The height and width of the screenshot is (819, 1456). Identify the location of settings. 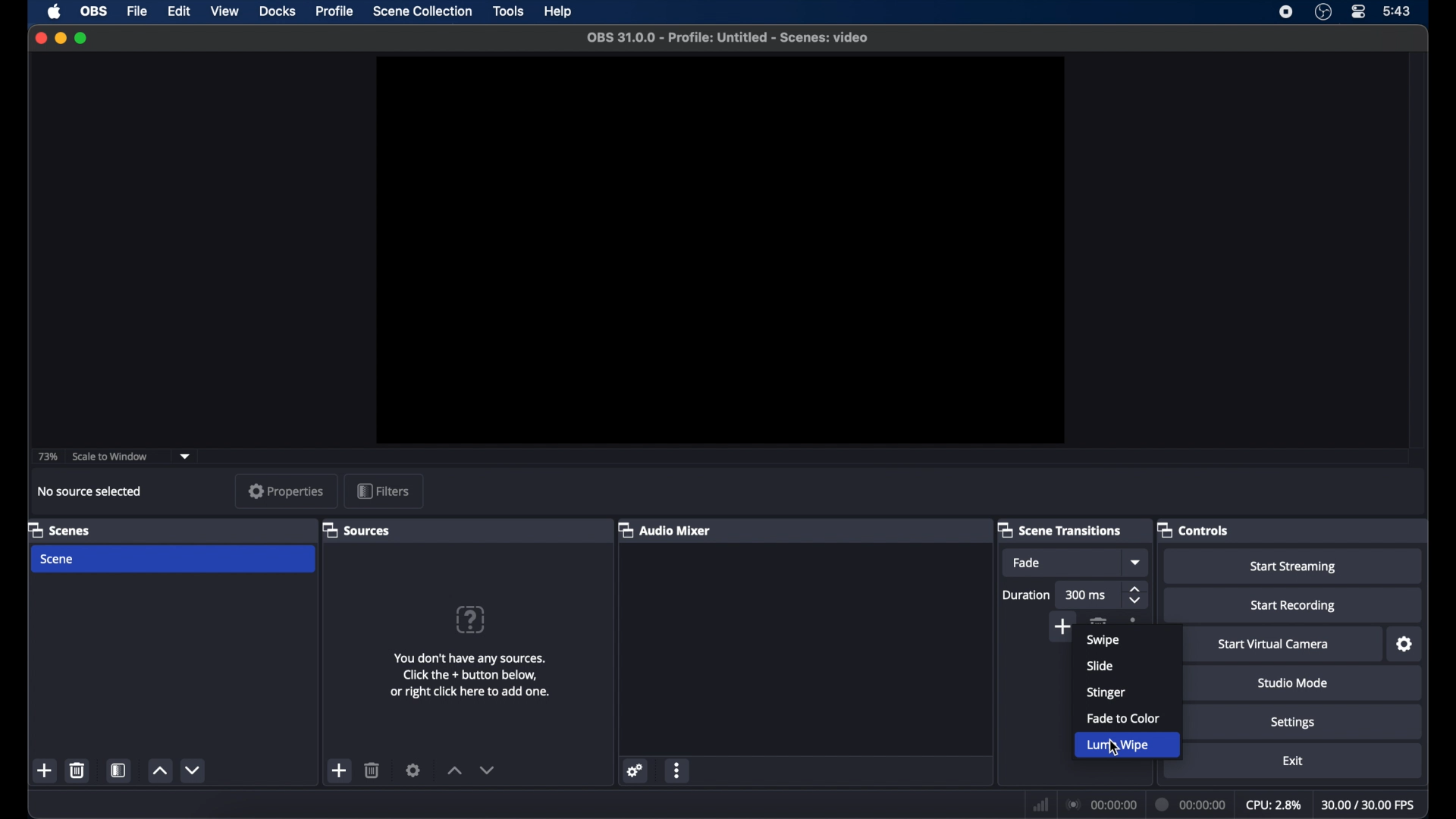
(1292, 723).